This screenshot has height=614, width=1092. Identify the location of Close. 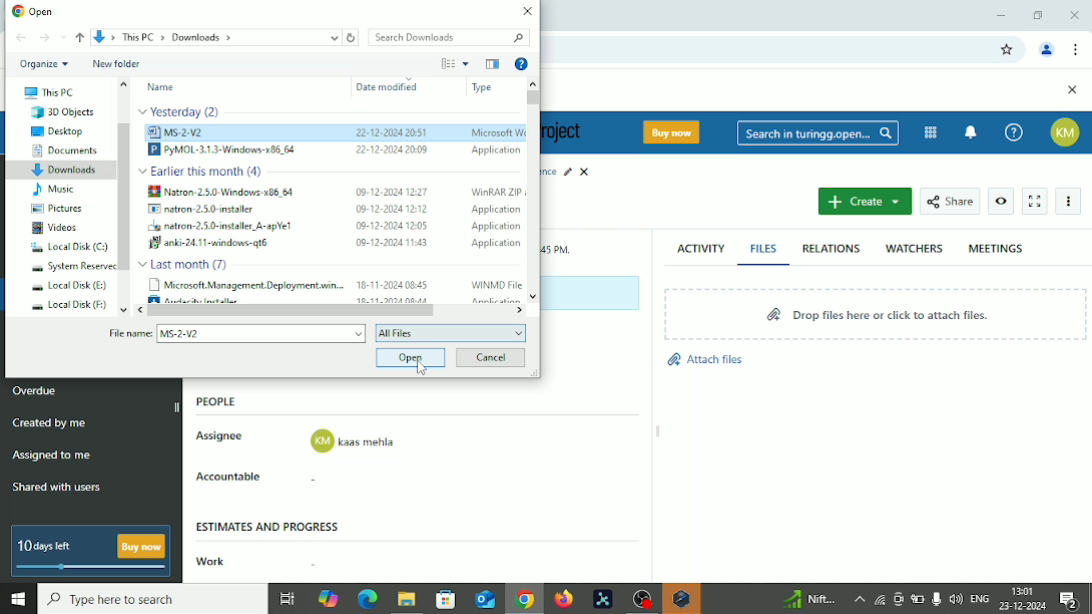
(1072, 91).